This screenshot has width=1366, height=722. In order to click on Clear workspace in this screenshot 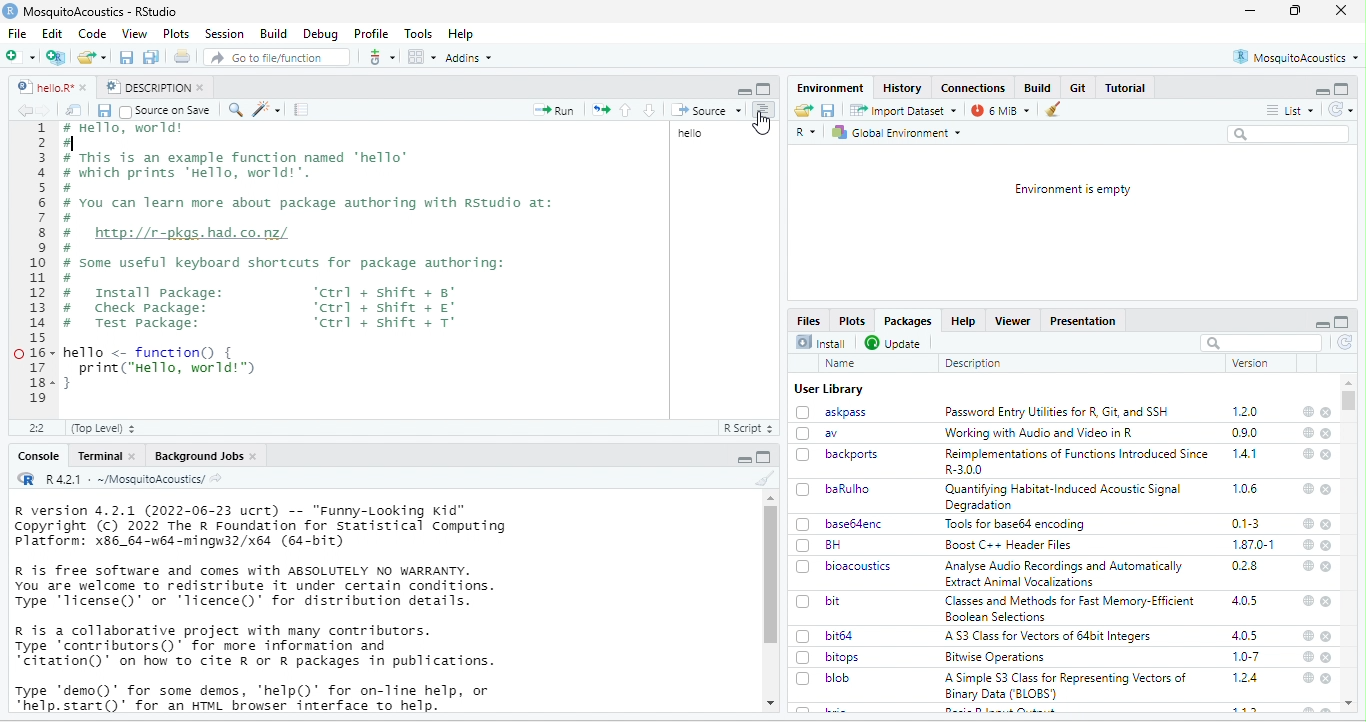, I will do `click(1057, 109)`.